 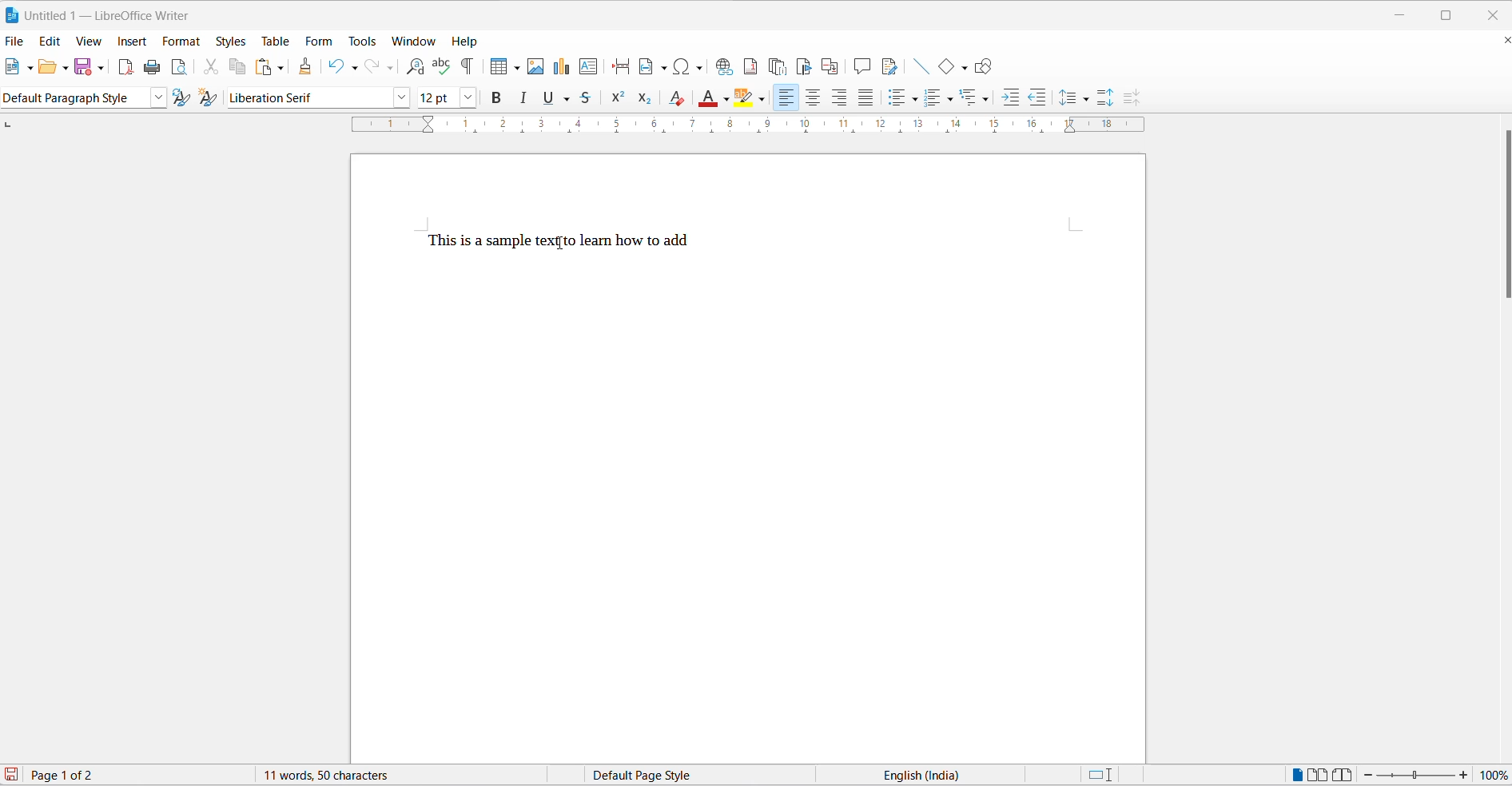 I want to click on maximize, so click(x=1449, y=13).